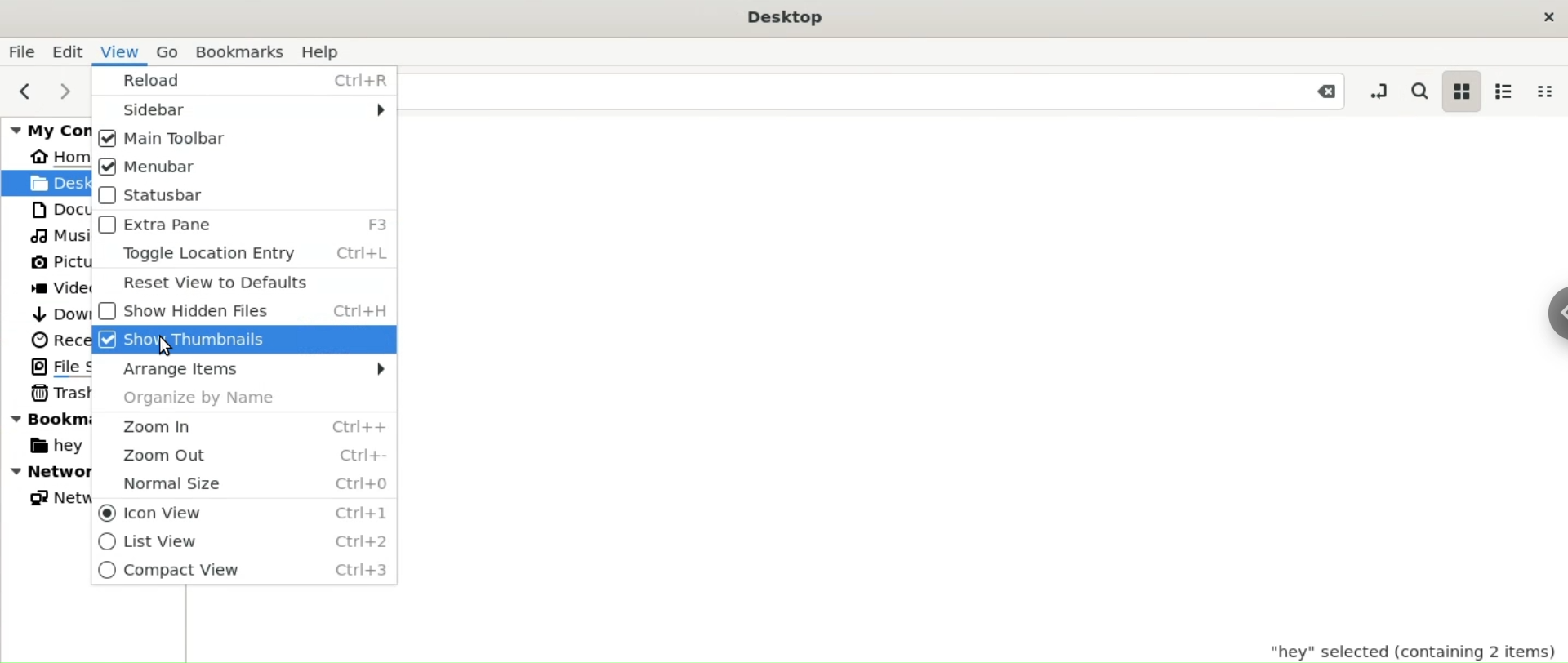  I want to click on Sidebar, so click(242, 106).